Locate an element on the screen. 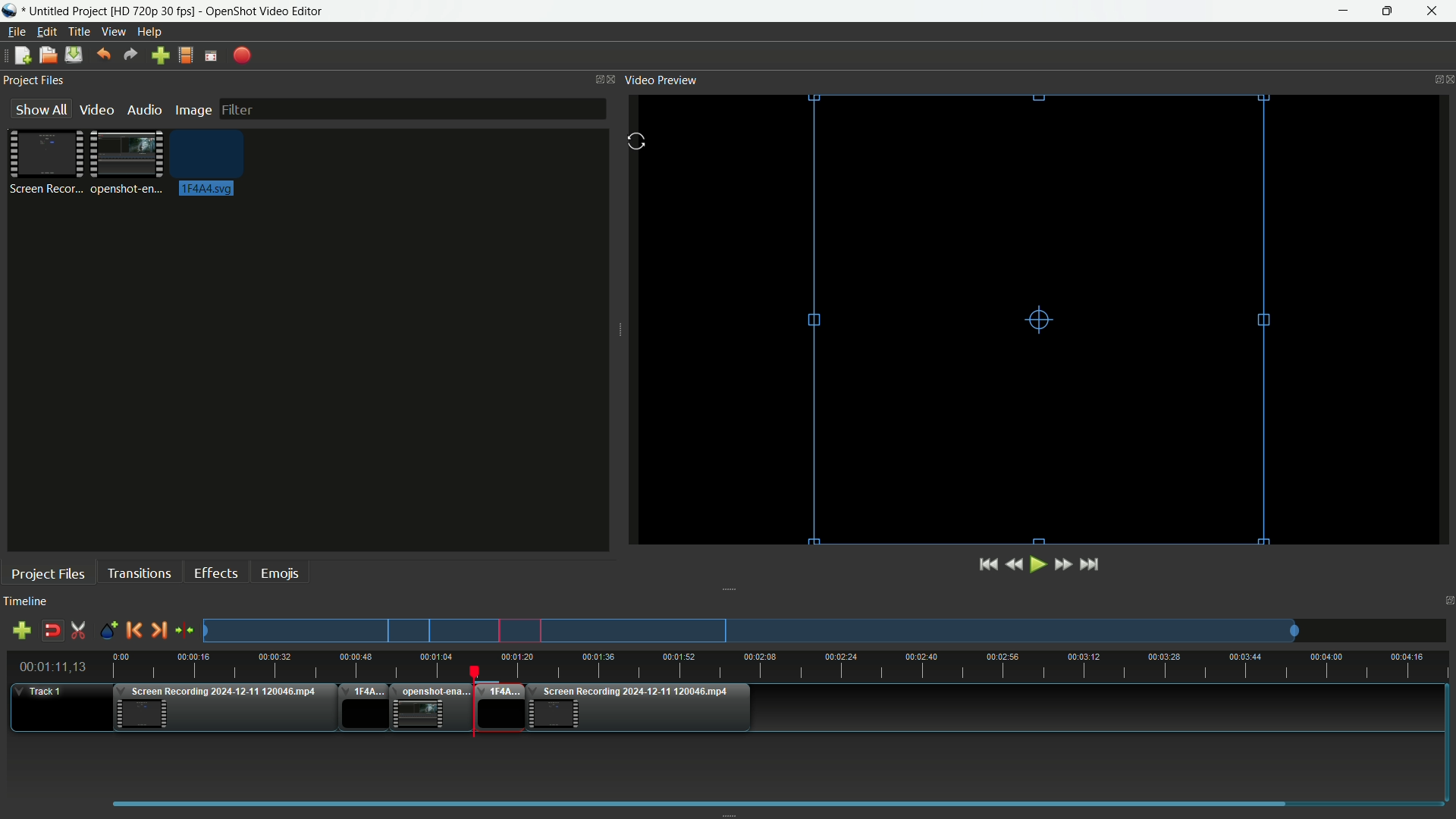 The height and width of the screenshot is (819, 1456). Audio is located at coordinates (144, 110).